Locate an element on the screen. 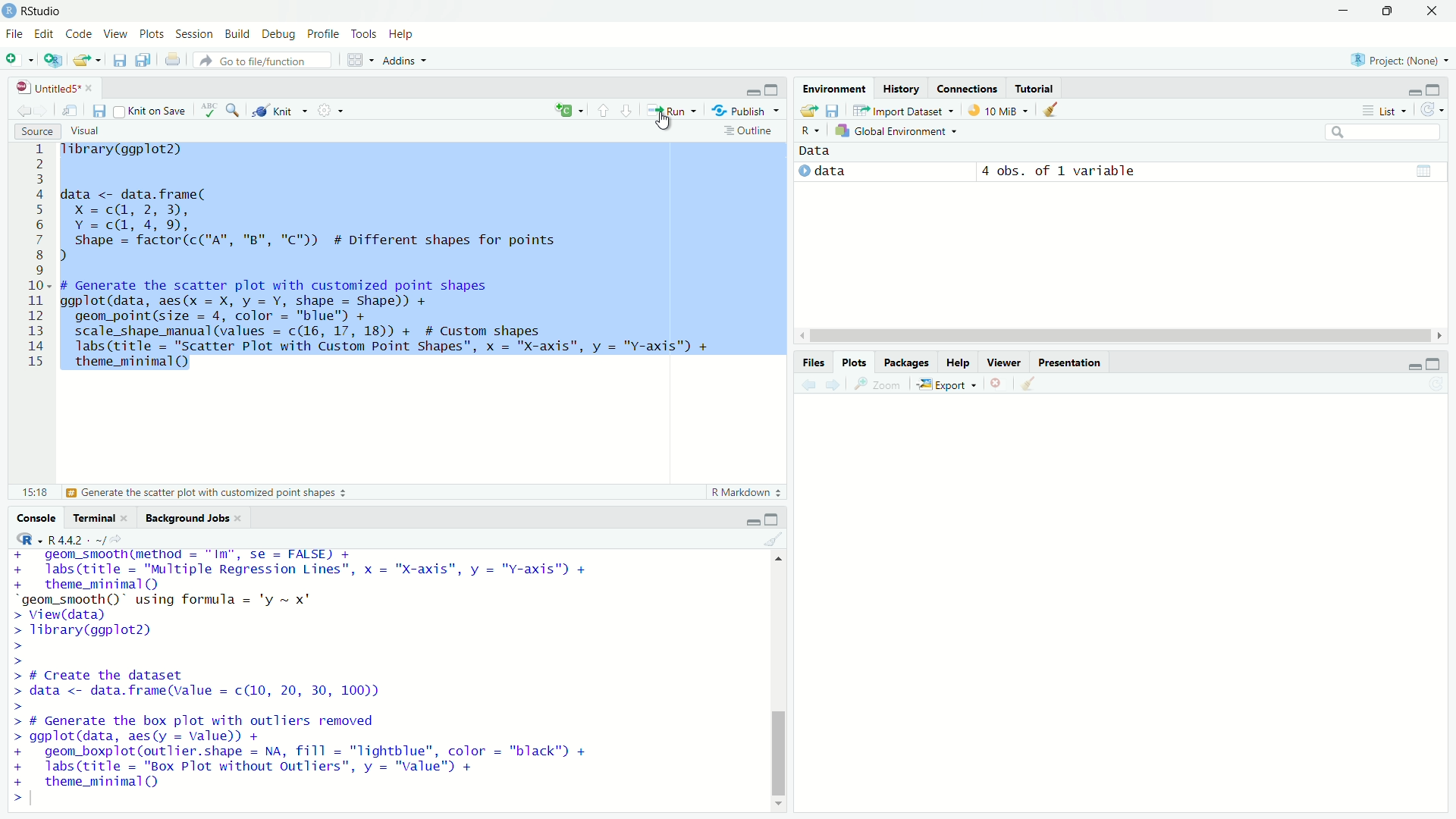 The width and height of the screenshot is (1456, 819). minimize is located at coordinates (1411, 91).